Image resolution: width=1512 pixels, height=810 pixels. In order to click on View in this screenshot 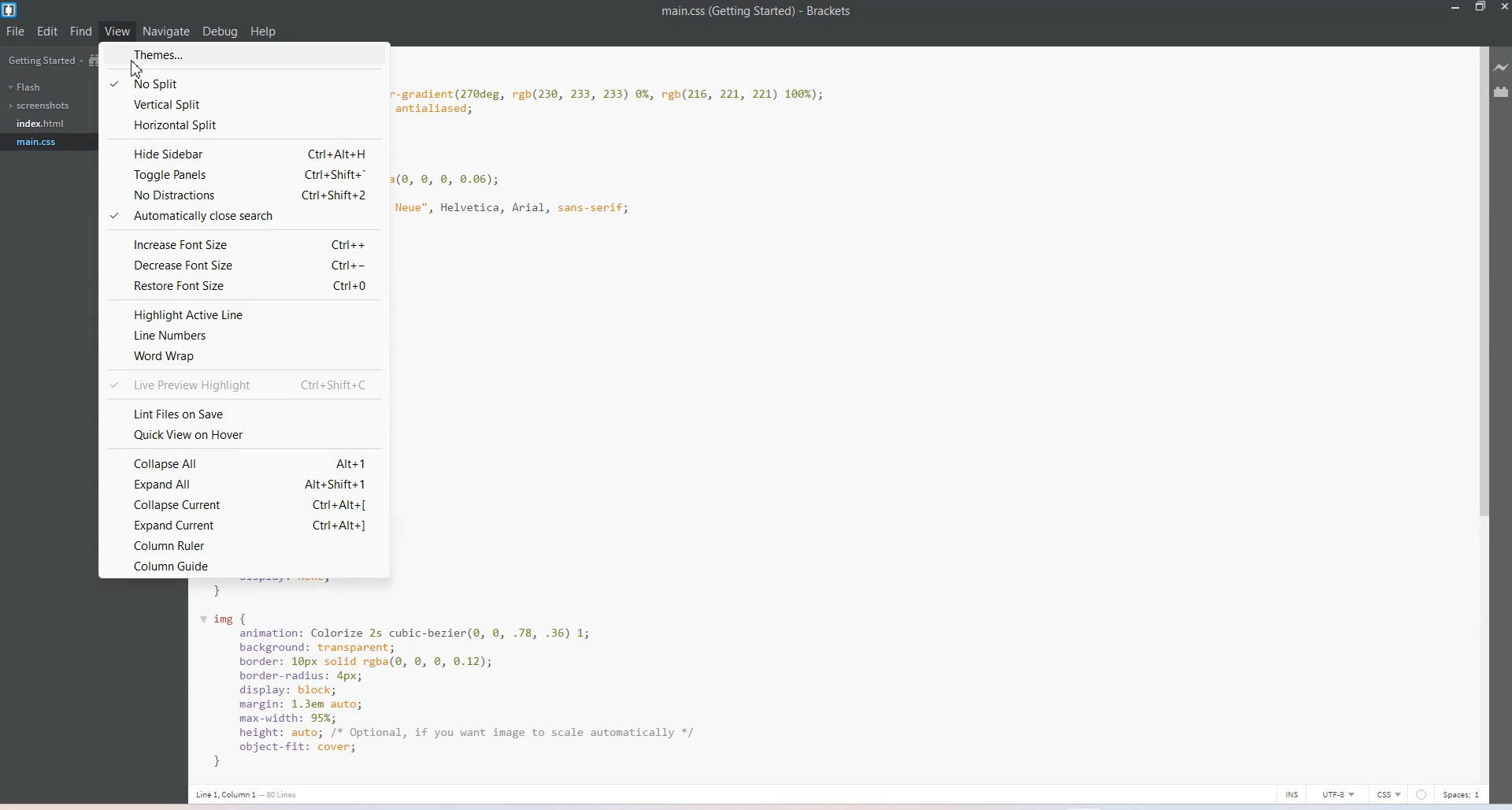, I will do `click(119, 31)`.